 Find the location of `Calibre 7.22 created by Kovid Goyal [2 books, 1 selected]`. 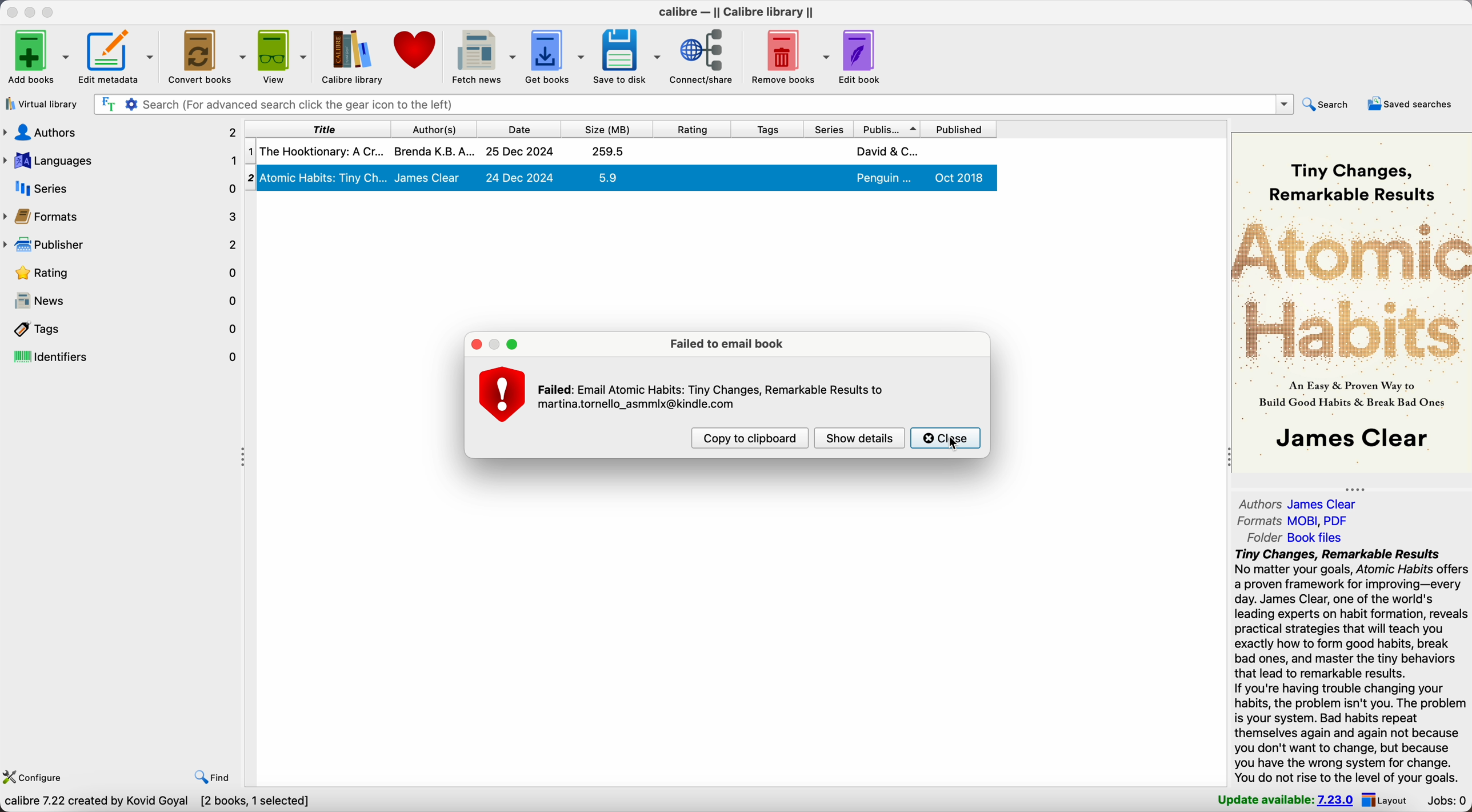

Calibre 7.22 created by Kovid Goyal [2 books, 1 selected] is located at coordinates (157, 803).